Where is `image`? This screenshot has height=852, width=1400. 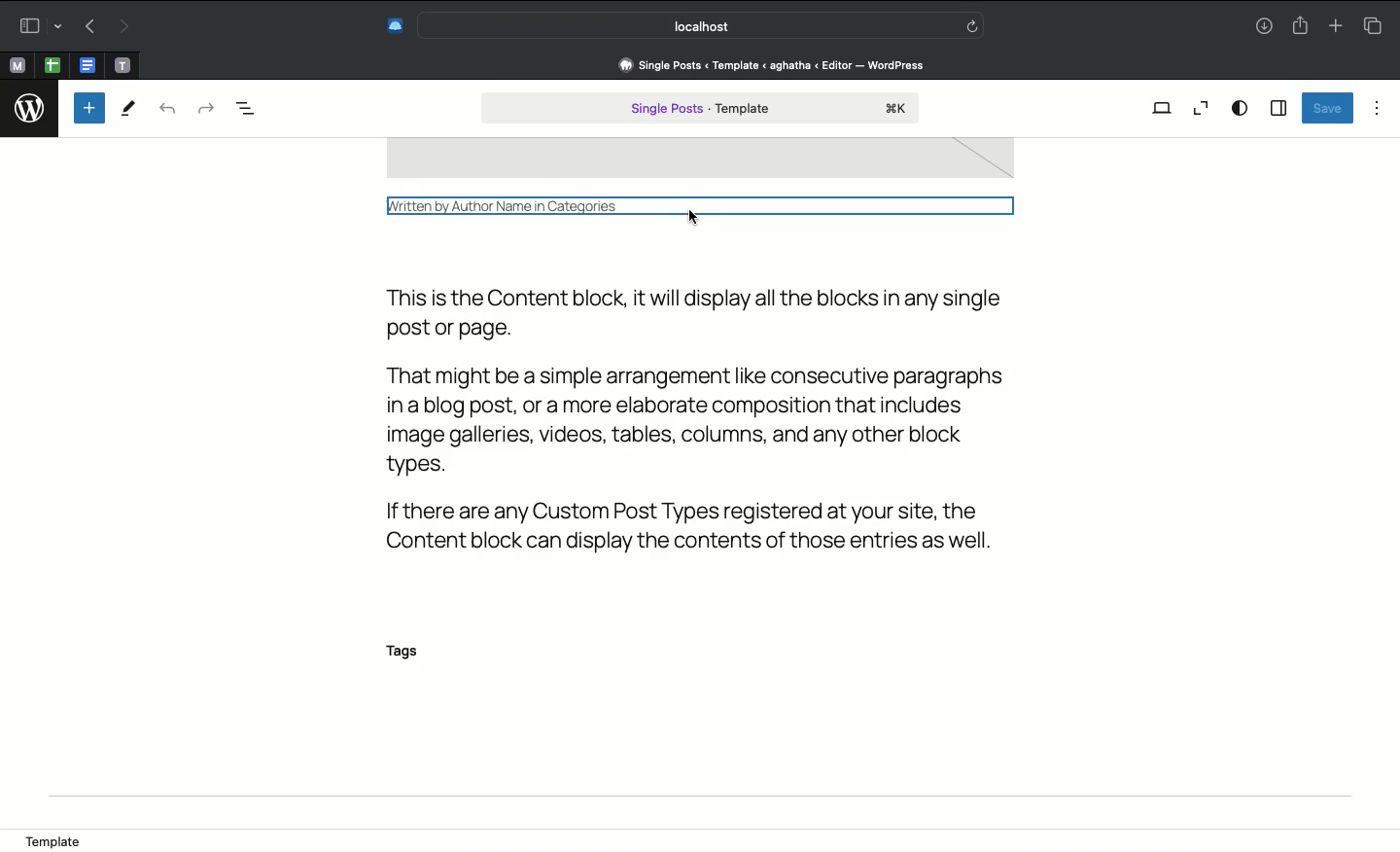
image is located at coordinates (699, 160).